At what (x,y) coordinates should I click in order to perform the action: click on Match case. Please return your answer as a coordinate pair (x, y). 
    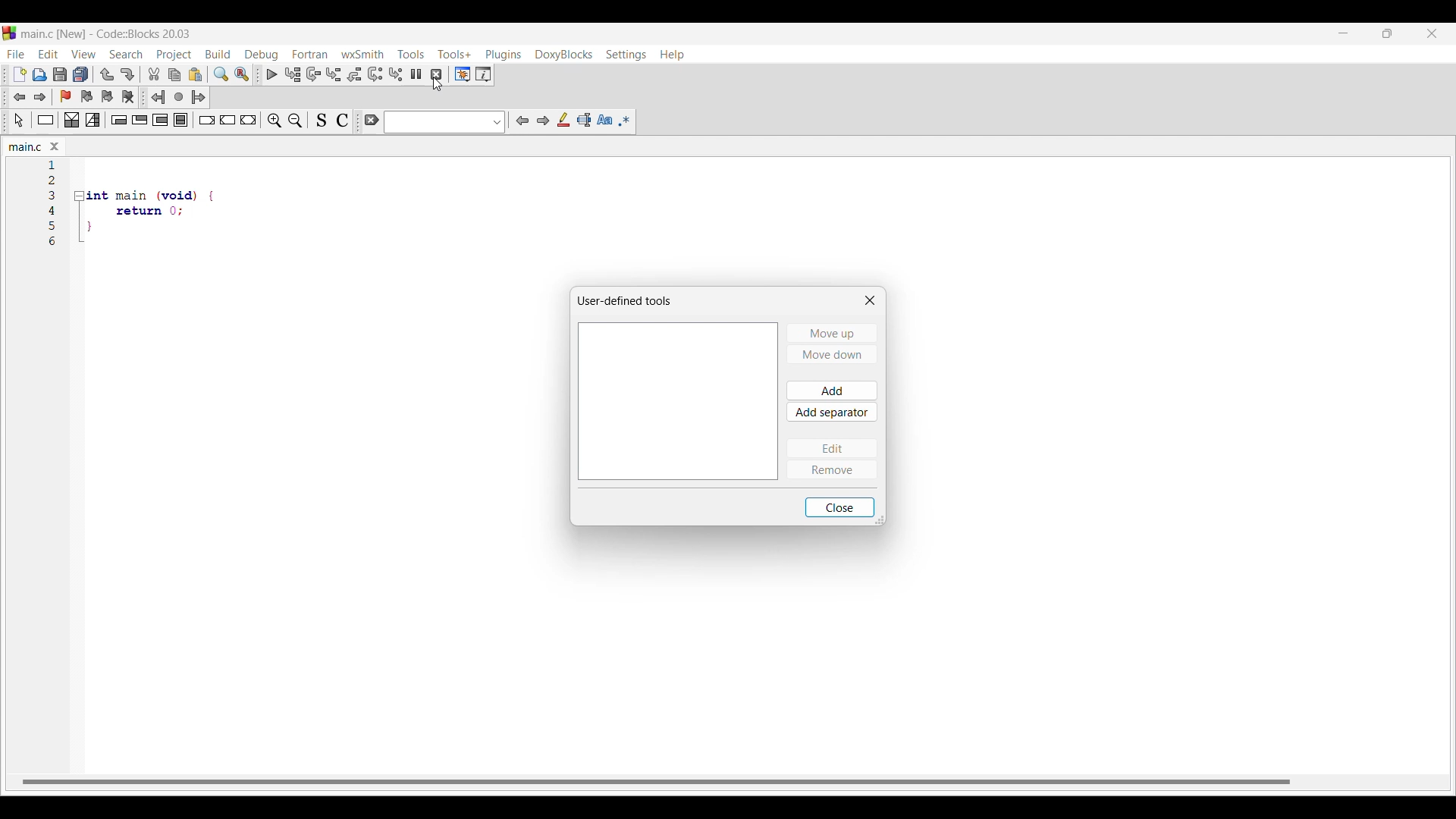
    Looking at the image, I should click on (604, 120).